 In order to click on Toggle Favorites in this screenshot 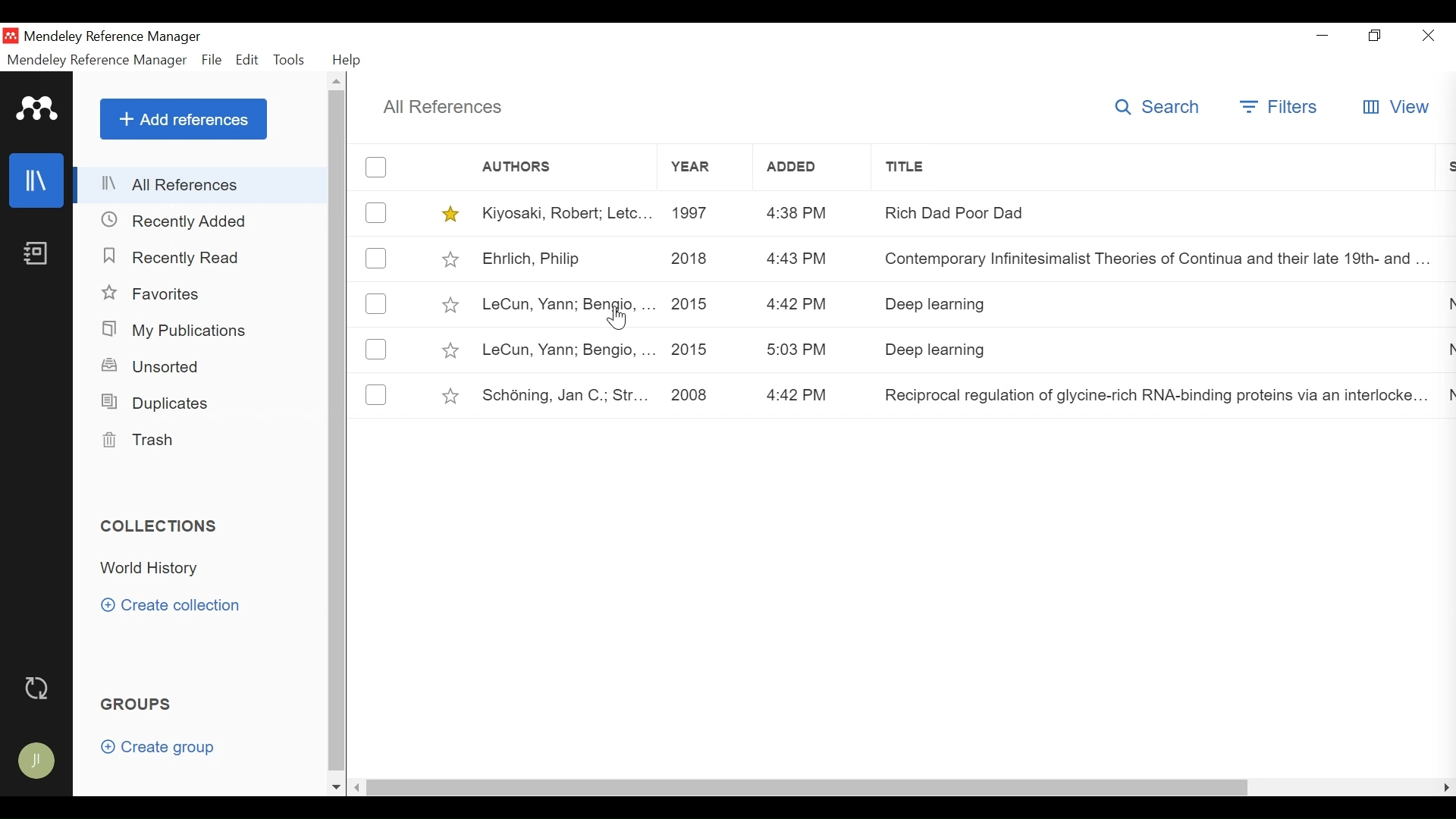, I will do `click(449, 304)`.